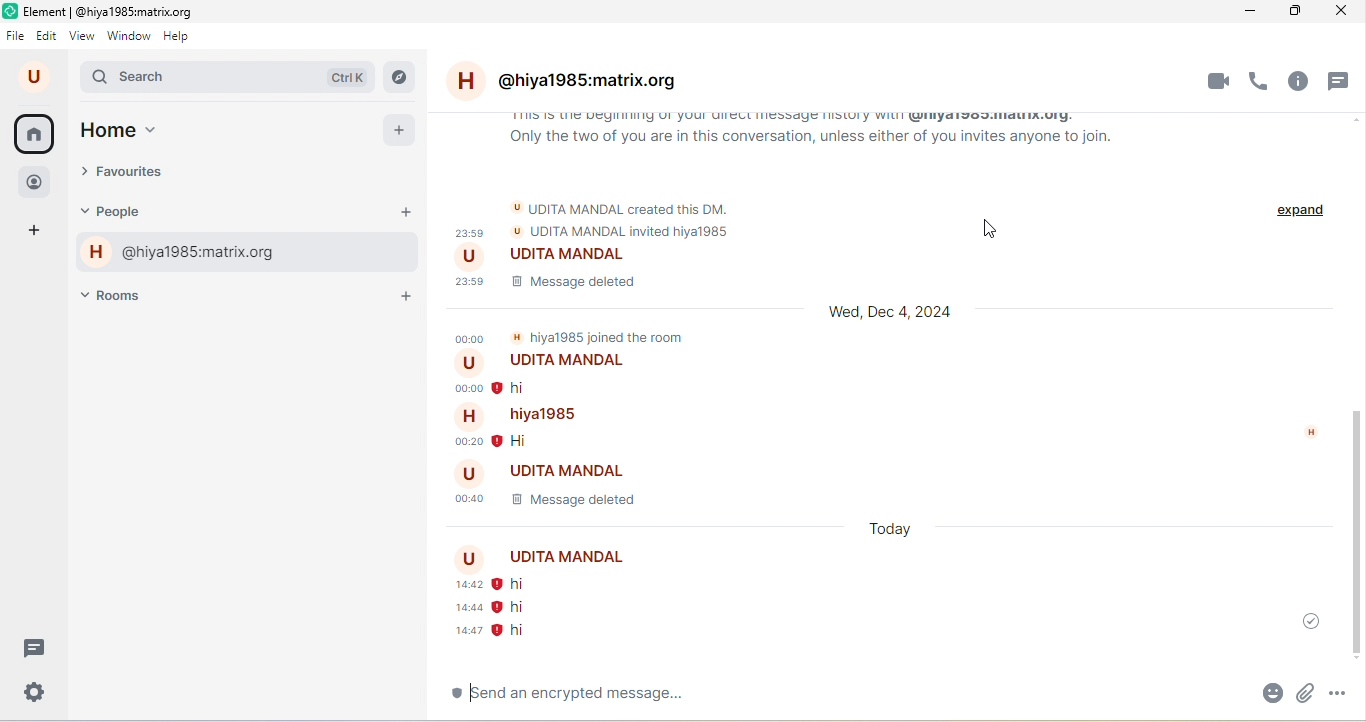  Describe the element at coordinates (1217, 81) in the screenshot. I see `video call` at that location.